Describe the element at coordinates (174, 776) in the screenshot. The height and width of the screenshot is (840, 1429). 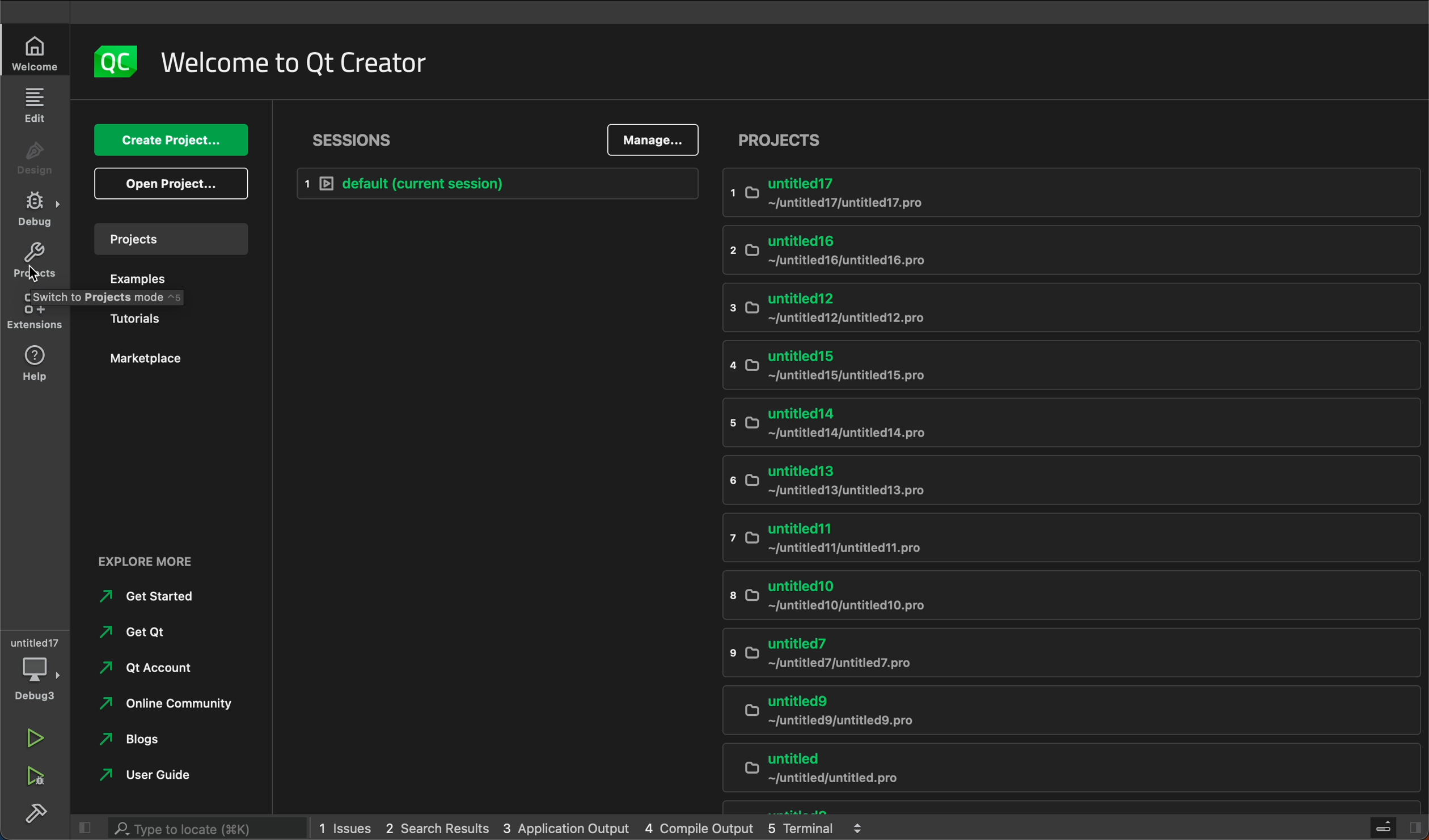
I see `user guide` at that location.